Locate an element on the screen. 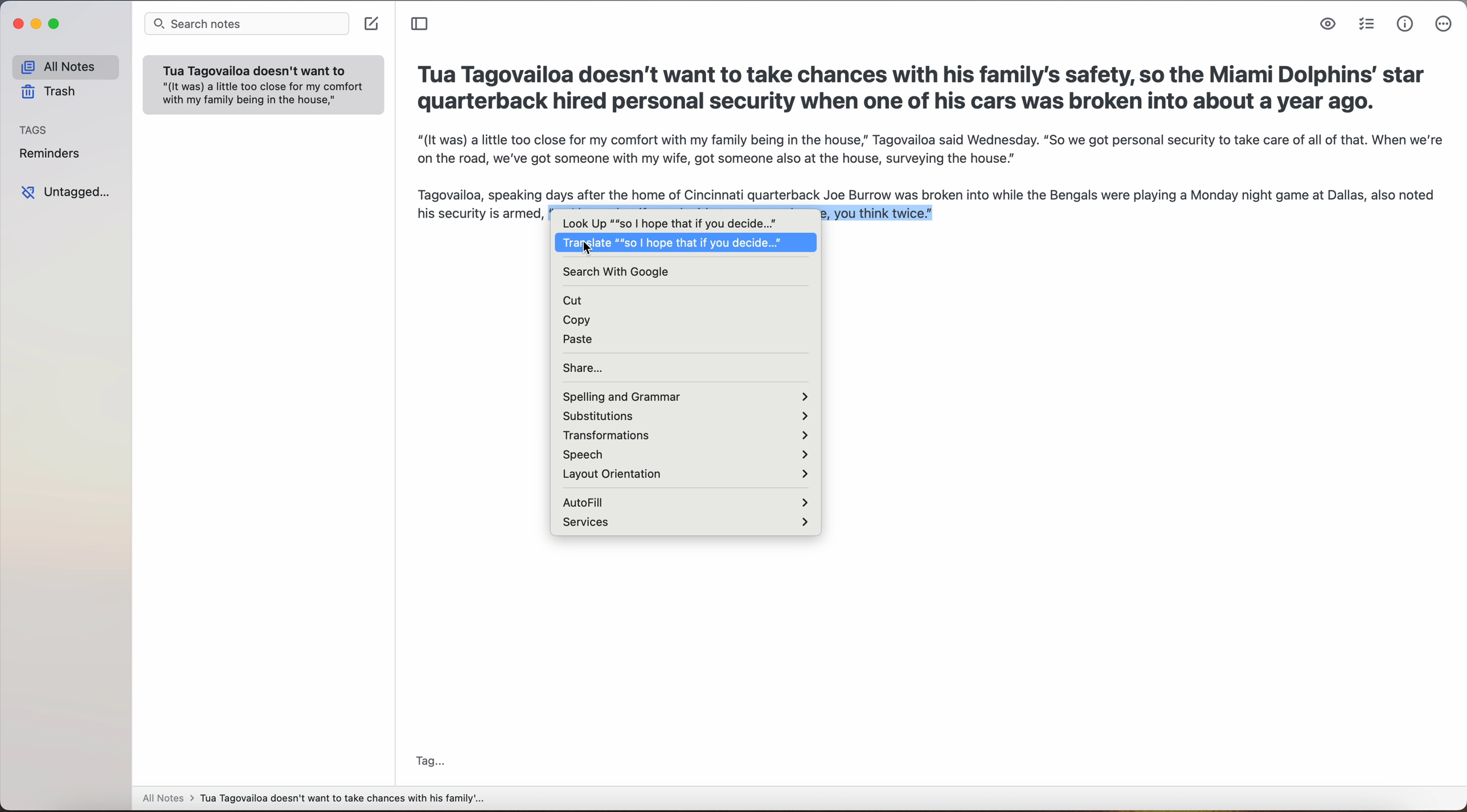 This screenshot has height=812, width=1467. search notes is located at coordinates (247, 24).